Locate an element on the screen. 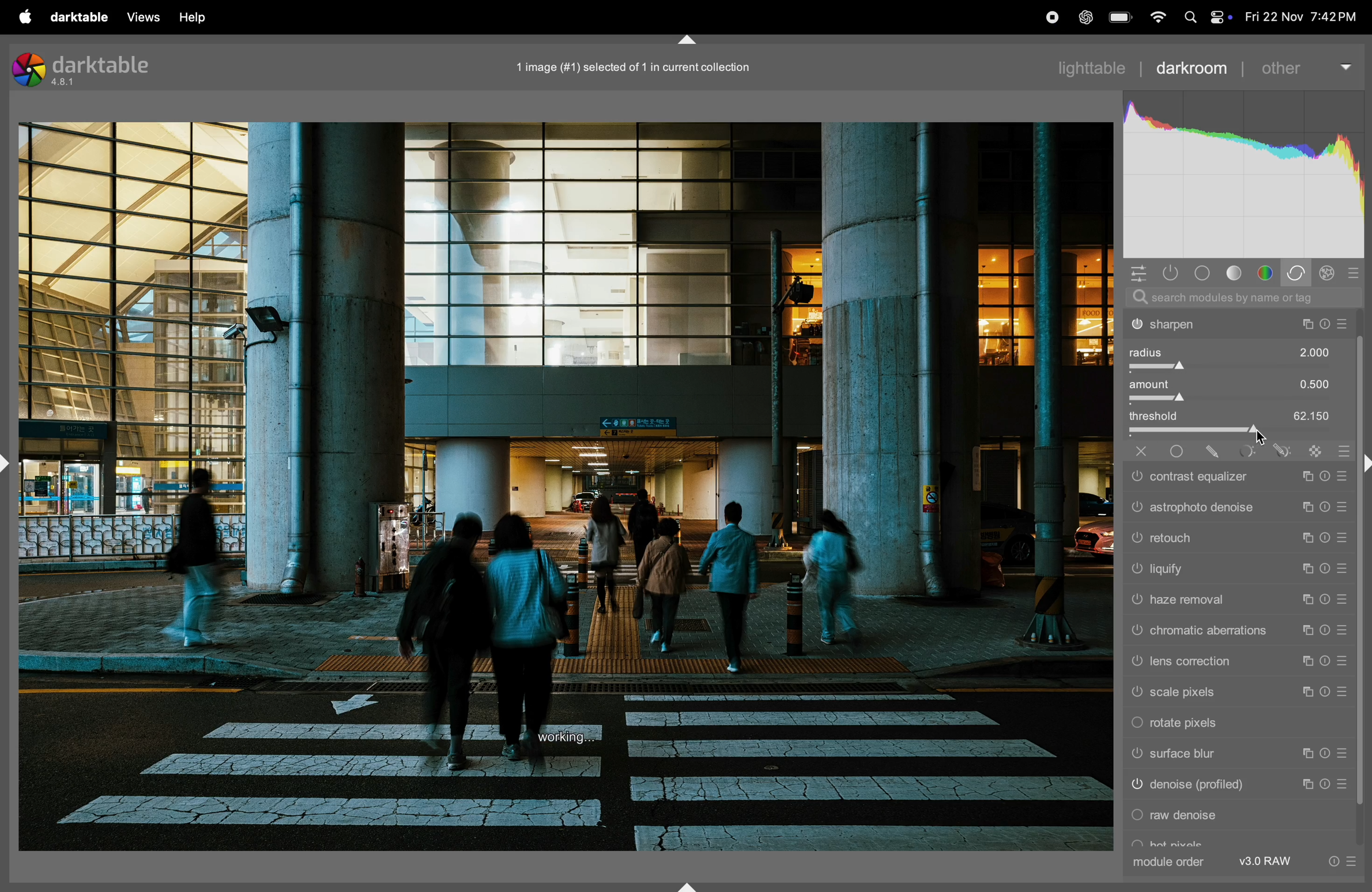 The height and width of the screenshot is (892, 1372). liquify is located at coordinates (1239, 570).